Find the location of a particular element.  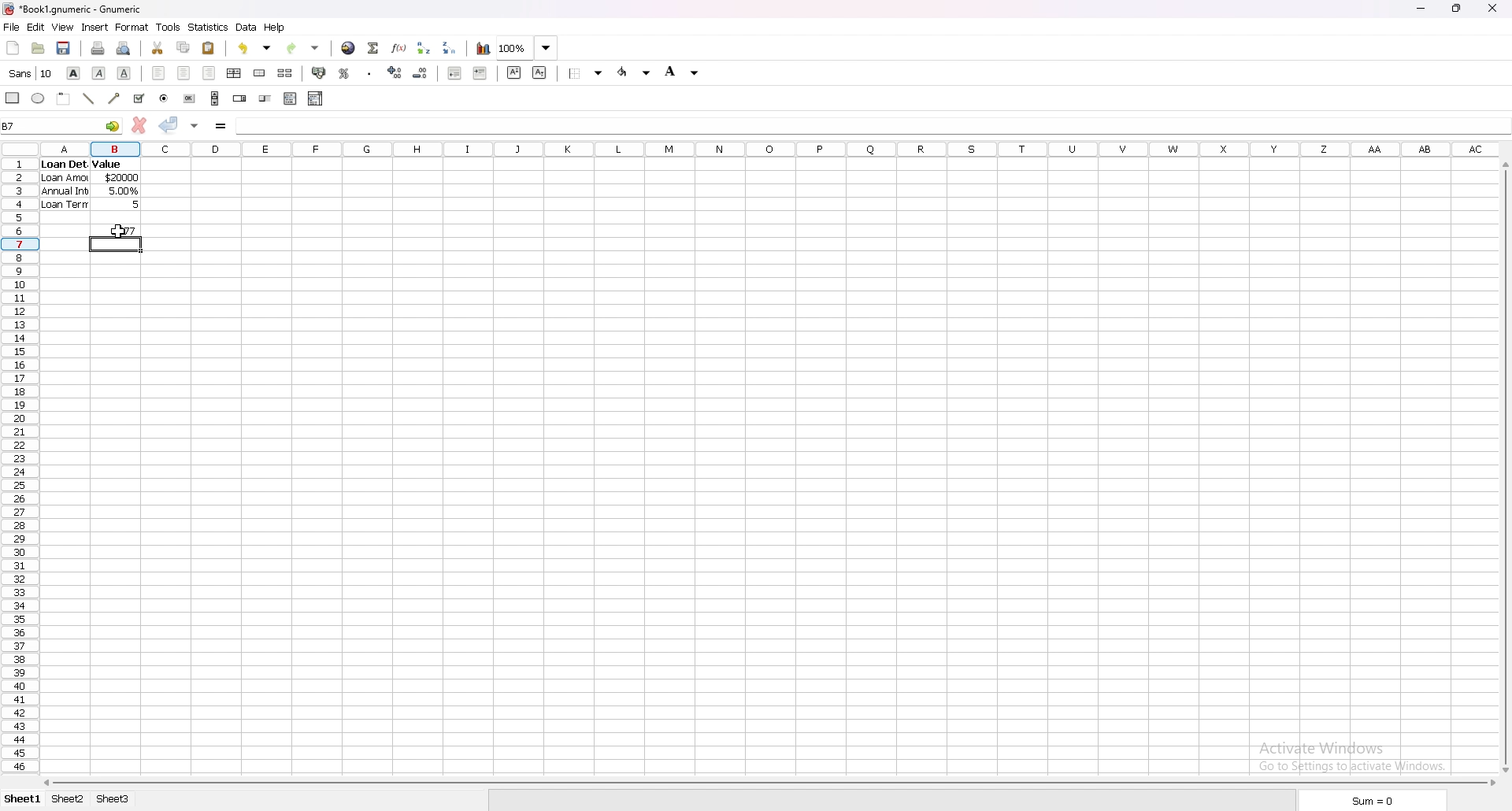

tickbox is located at coordinates (140, 98).